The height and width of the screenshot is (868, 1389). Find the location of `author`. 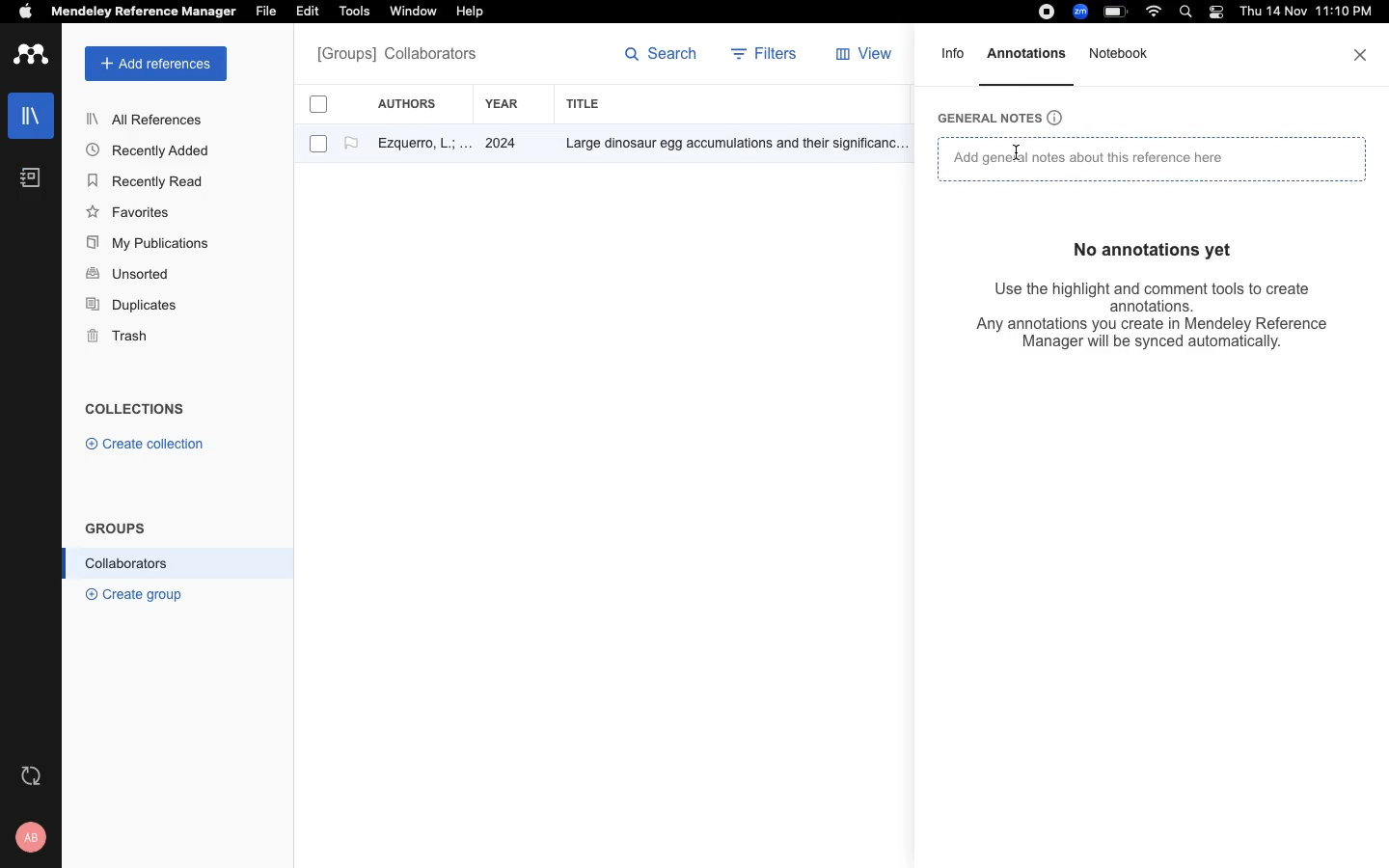

author is located at coordinates (416, 146).